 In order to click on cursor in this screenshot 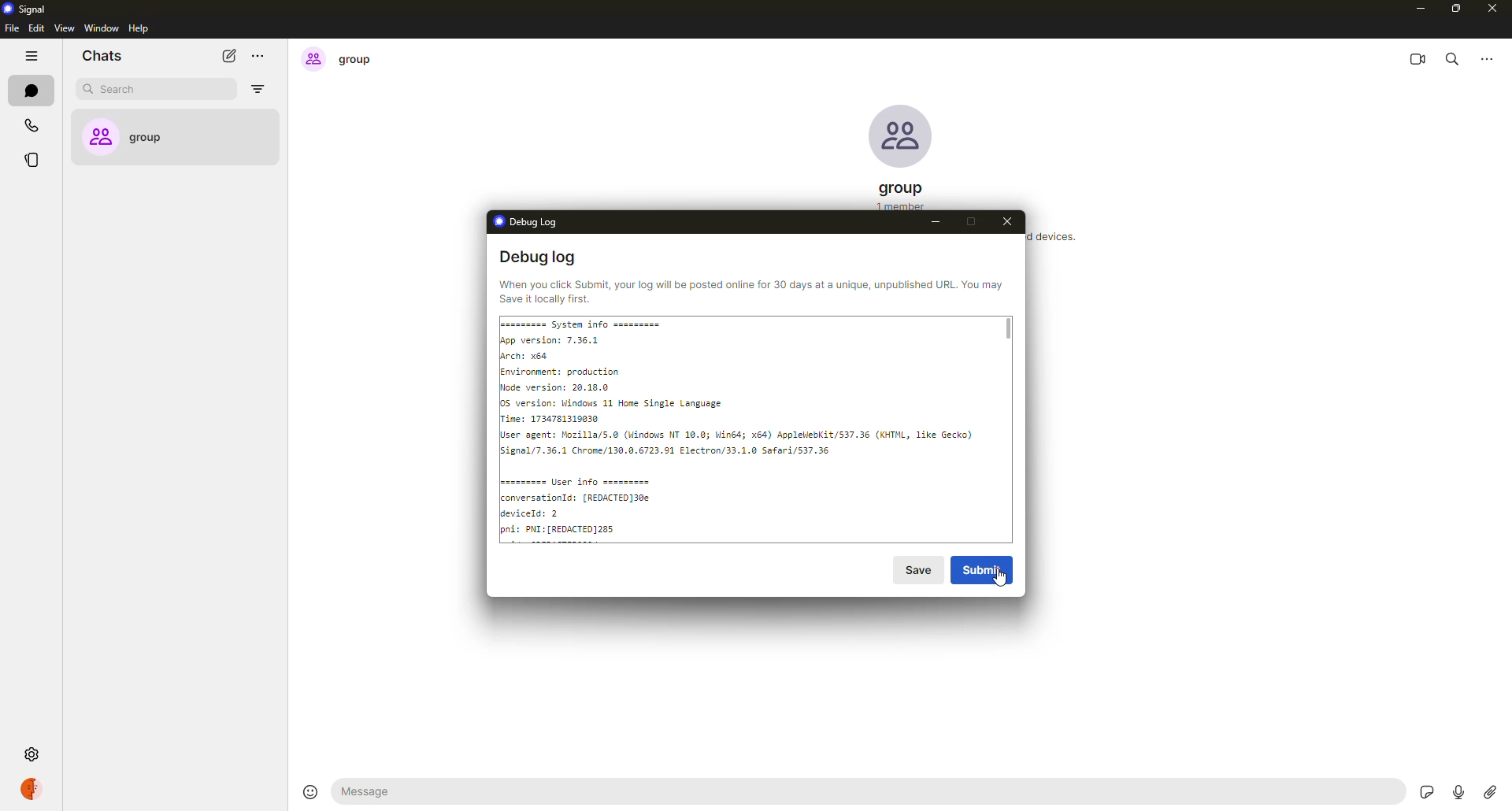, I will do `click(999, 582)`.